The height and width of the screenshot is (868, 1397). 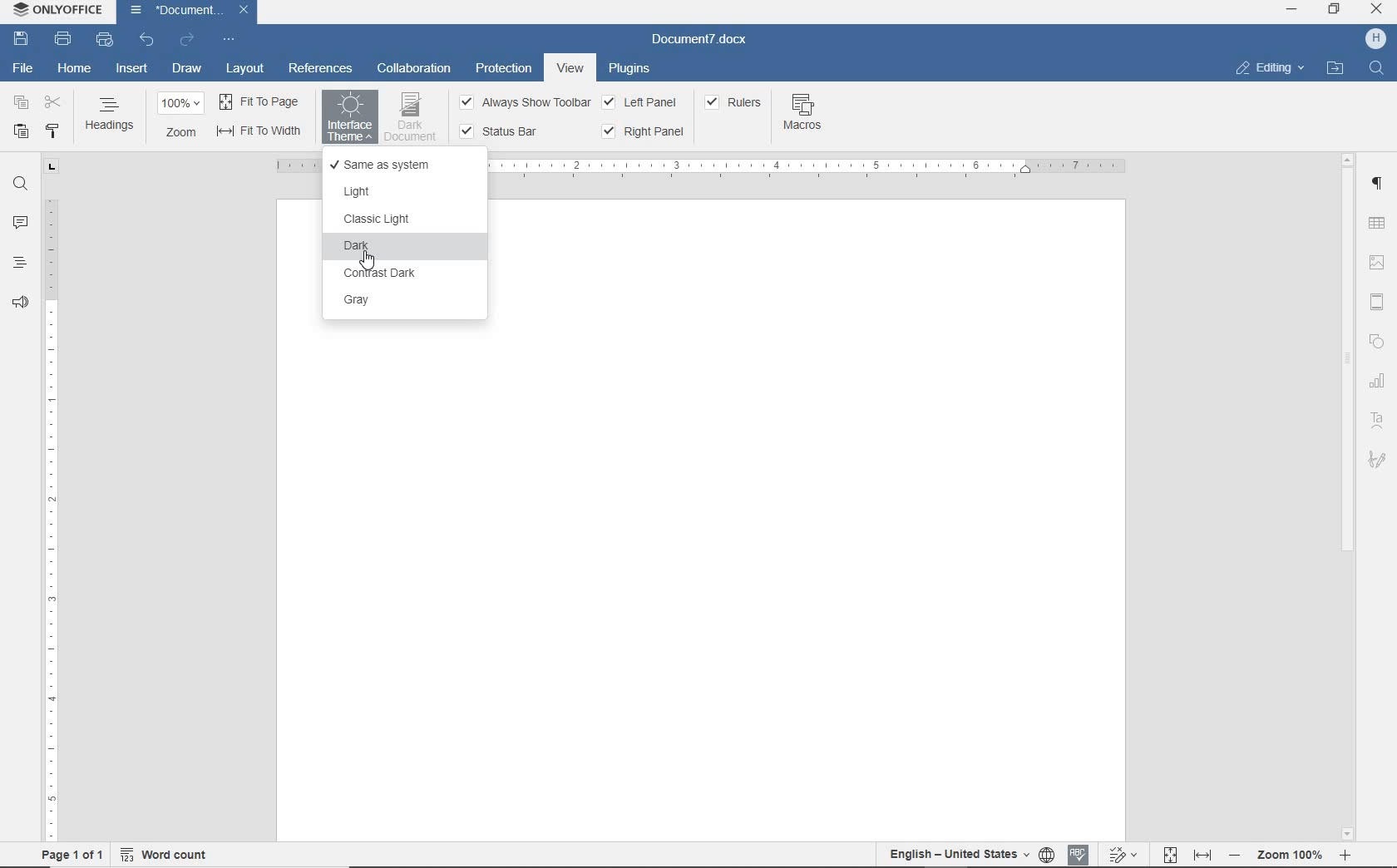 What do you see at coordinates (1377, 301) in the screenshot?
I see `HEADER & FOOTER` at bounding box center [1377, 301].